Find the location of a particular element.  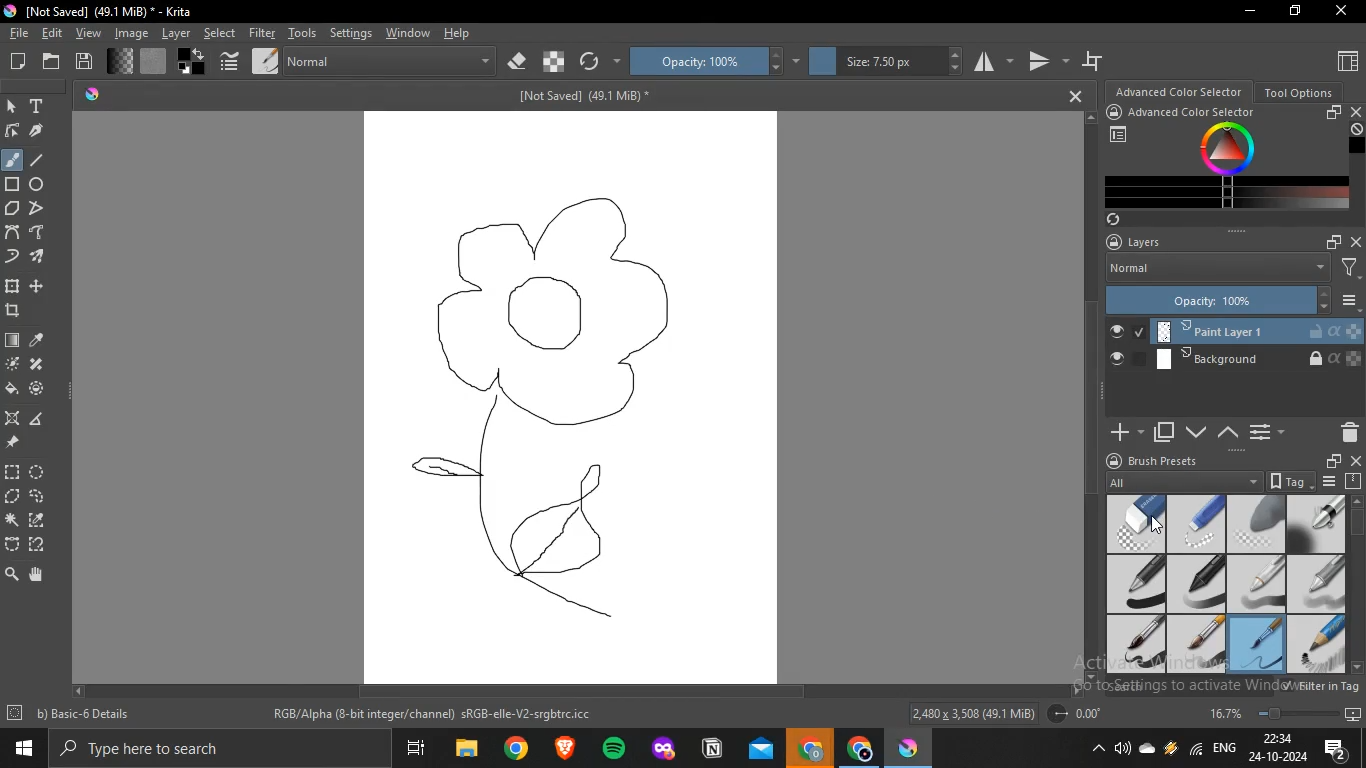

similar color selection tool is located at coordinates (39, 518).